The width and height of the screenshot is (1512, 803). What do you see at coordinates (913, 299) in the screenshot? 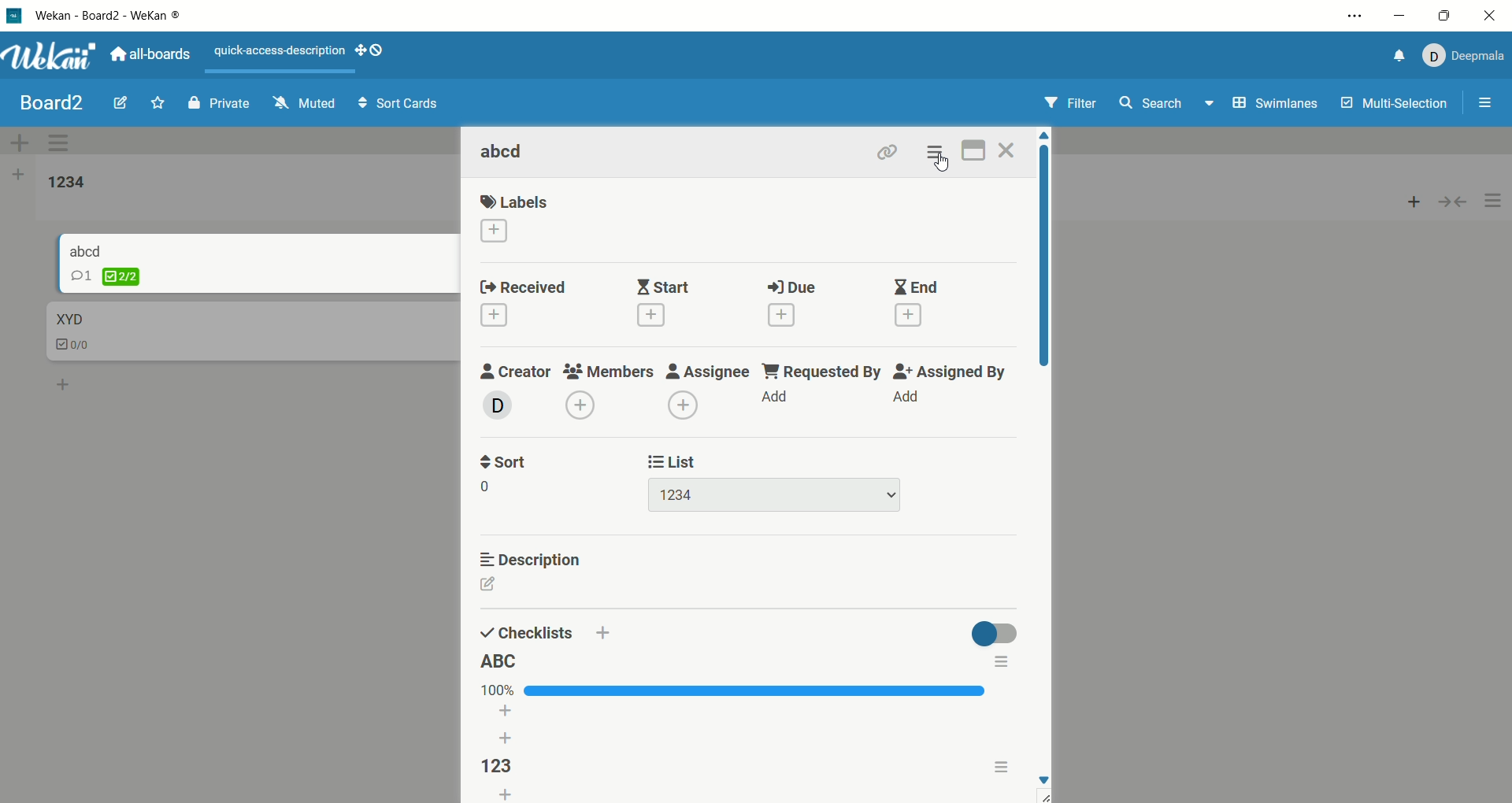
I see `end` at bounding box center [913, 299].